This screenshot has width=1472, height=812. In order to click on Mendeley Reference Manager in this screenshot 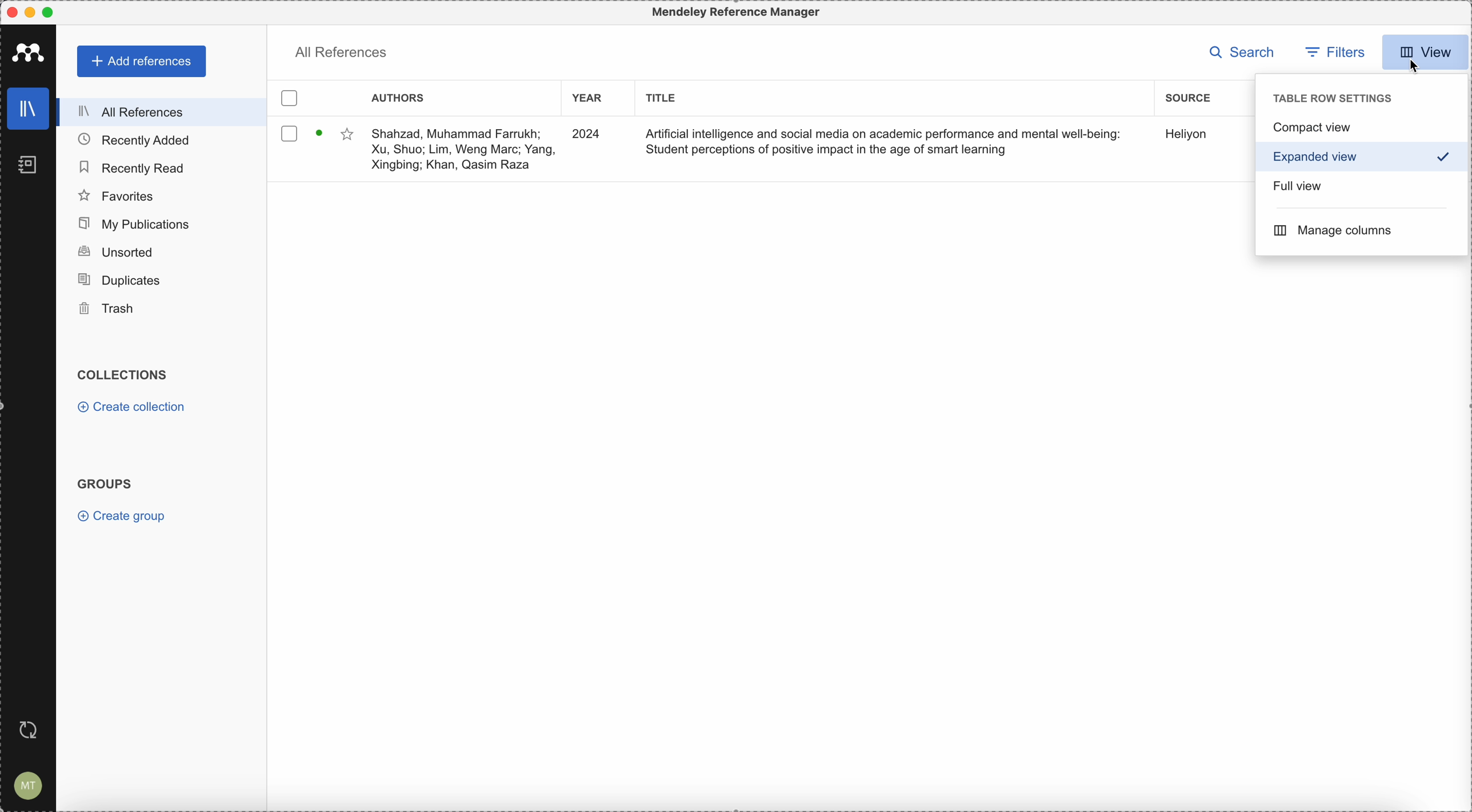, I will do `click(733, 11)`.